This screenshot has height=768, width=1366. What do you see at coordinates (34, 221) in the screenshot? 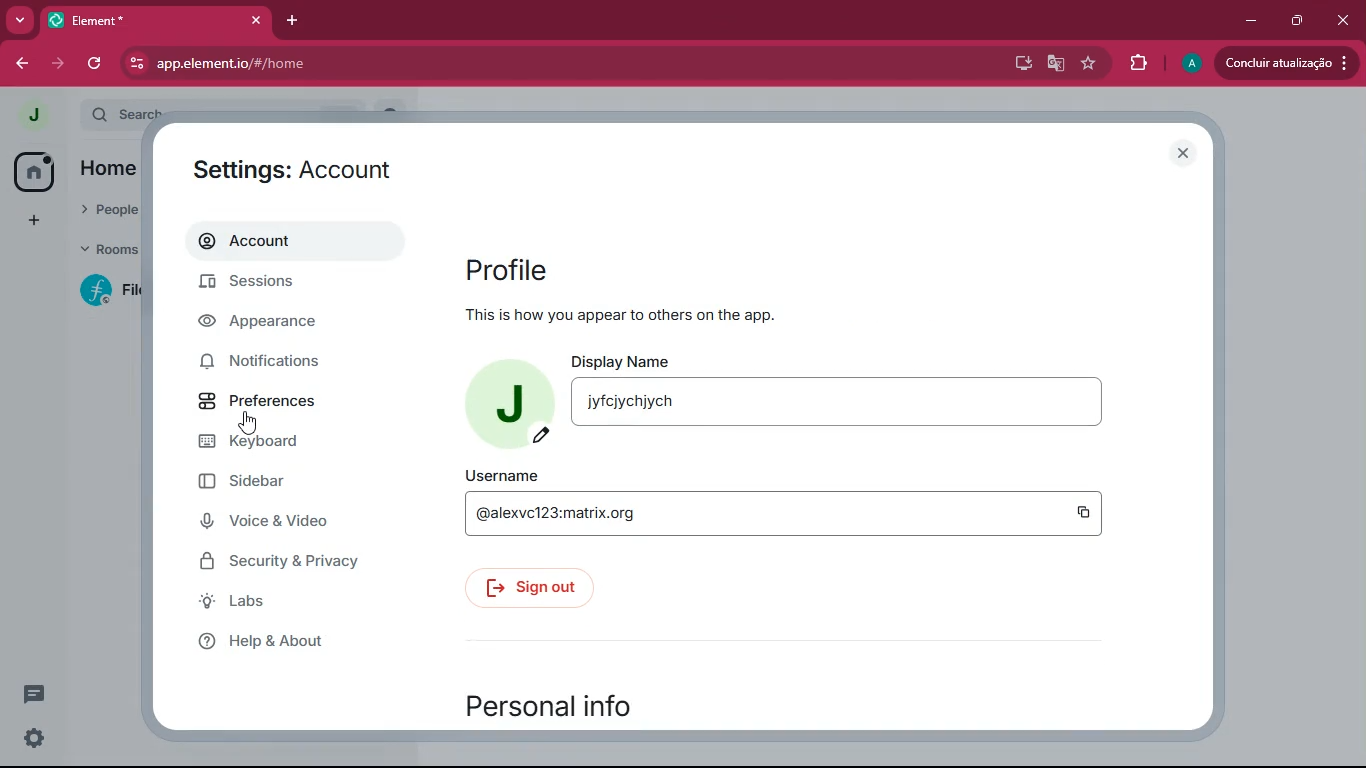
I see `add` at bounding box center [34, 221].